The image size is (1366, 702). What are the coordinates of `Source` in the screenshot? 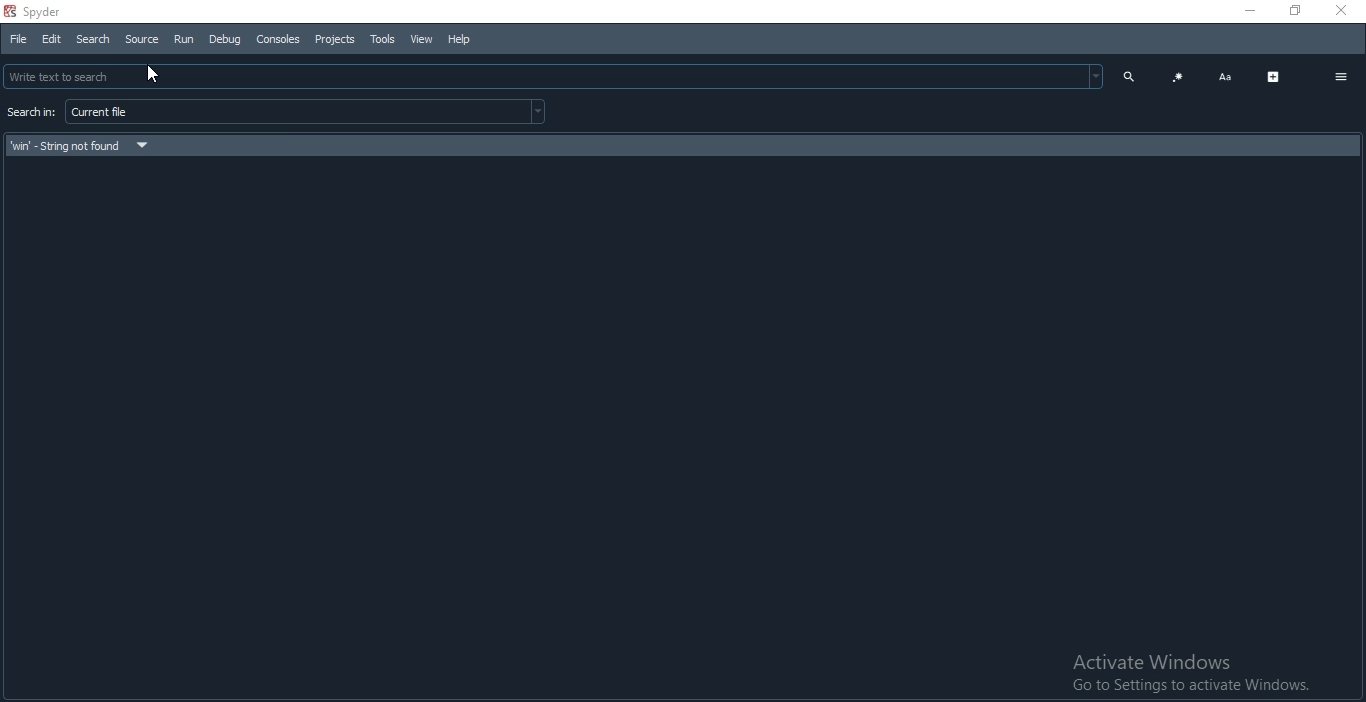 It's located at (142, 39).